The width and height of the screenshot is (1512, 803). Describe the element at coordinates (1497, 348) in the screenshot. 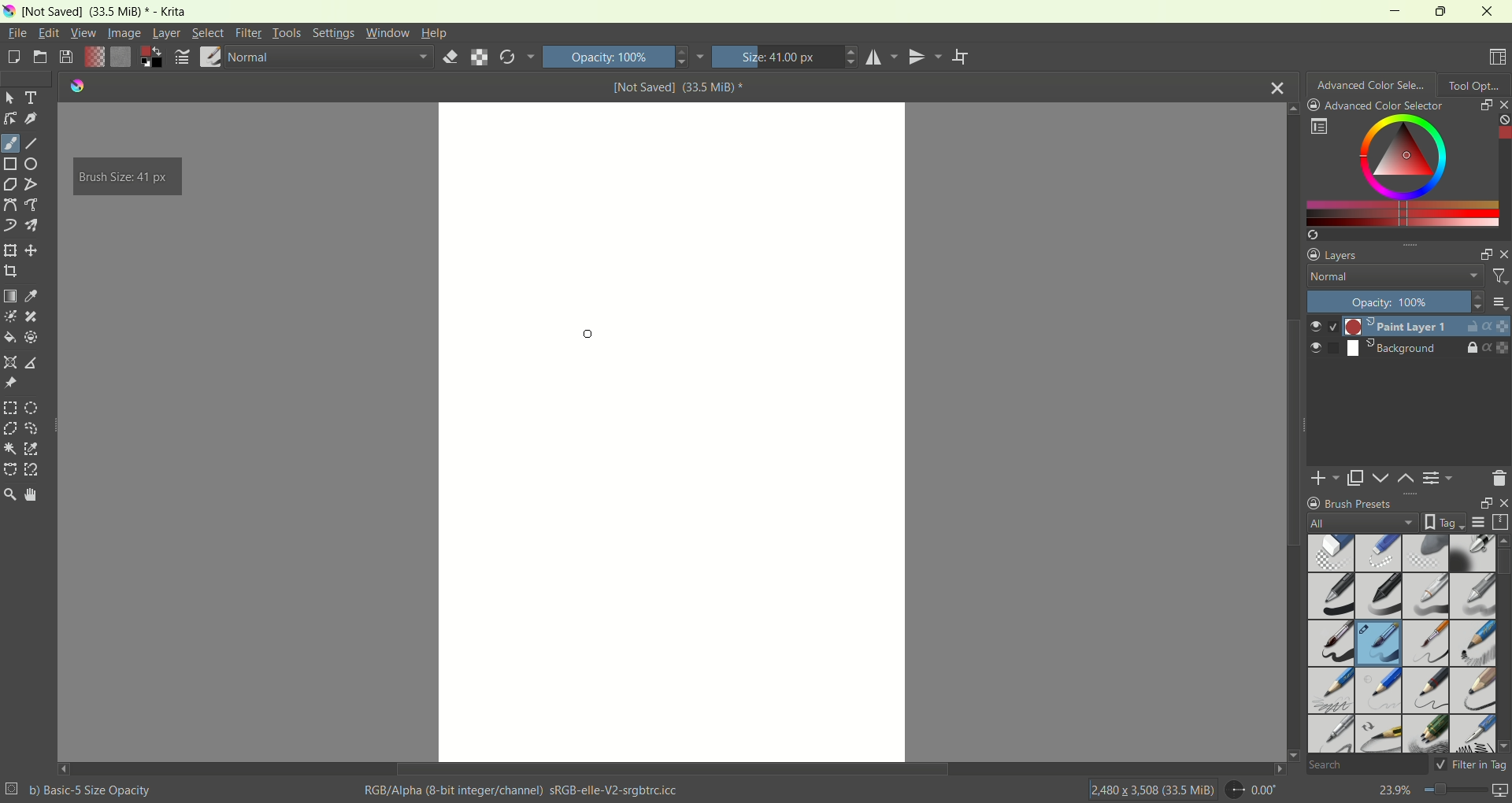

I see `properties` at that location.